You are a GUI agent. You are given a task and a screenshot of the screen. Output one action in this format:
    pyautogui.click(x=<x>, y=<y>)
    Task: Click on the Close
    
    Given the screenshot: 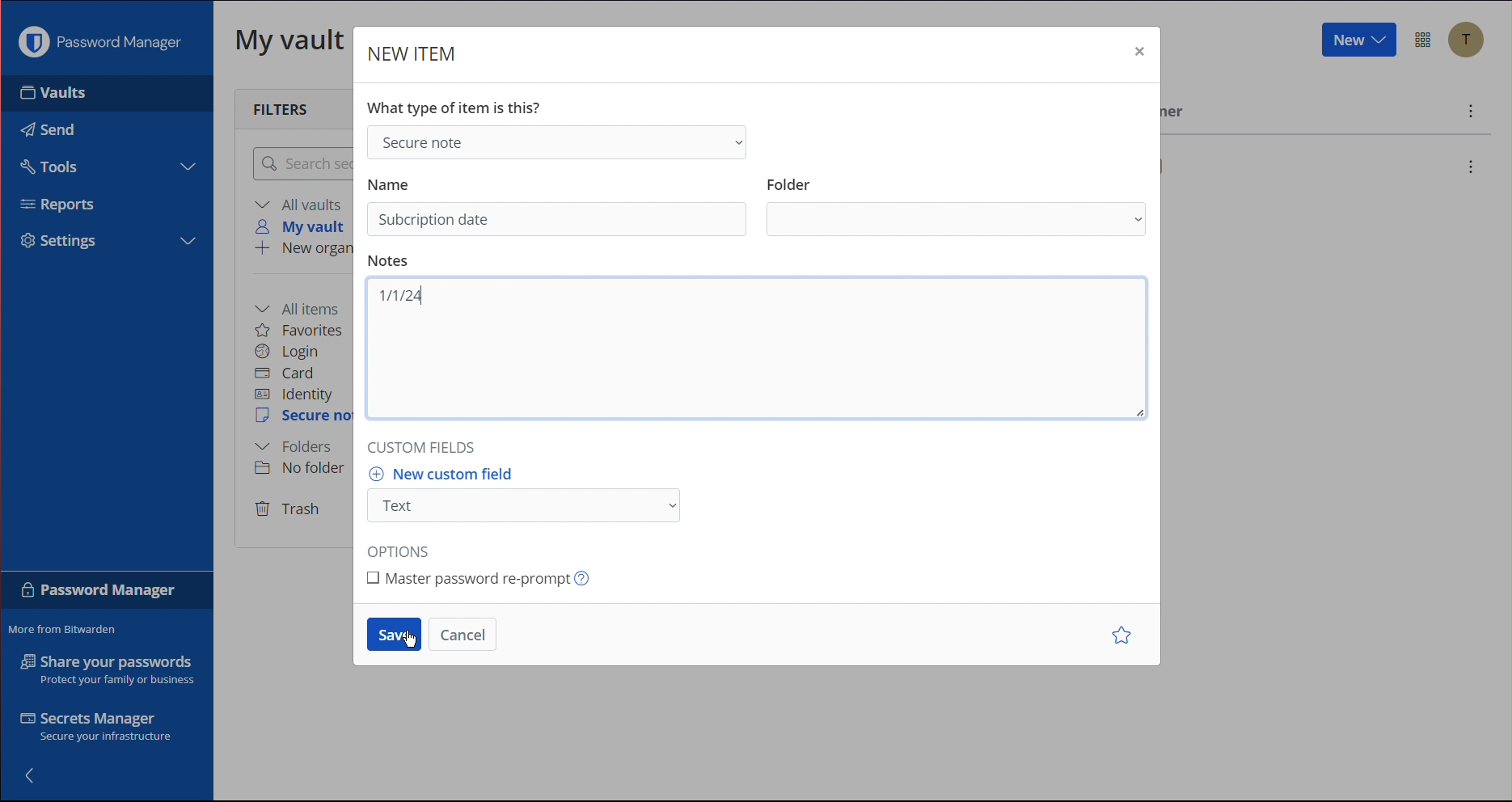 What is the action you would take?
    pyautogui.click(x=1138, y=55)
    